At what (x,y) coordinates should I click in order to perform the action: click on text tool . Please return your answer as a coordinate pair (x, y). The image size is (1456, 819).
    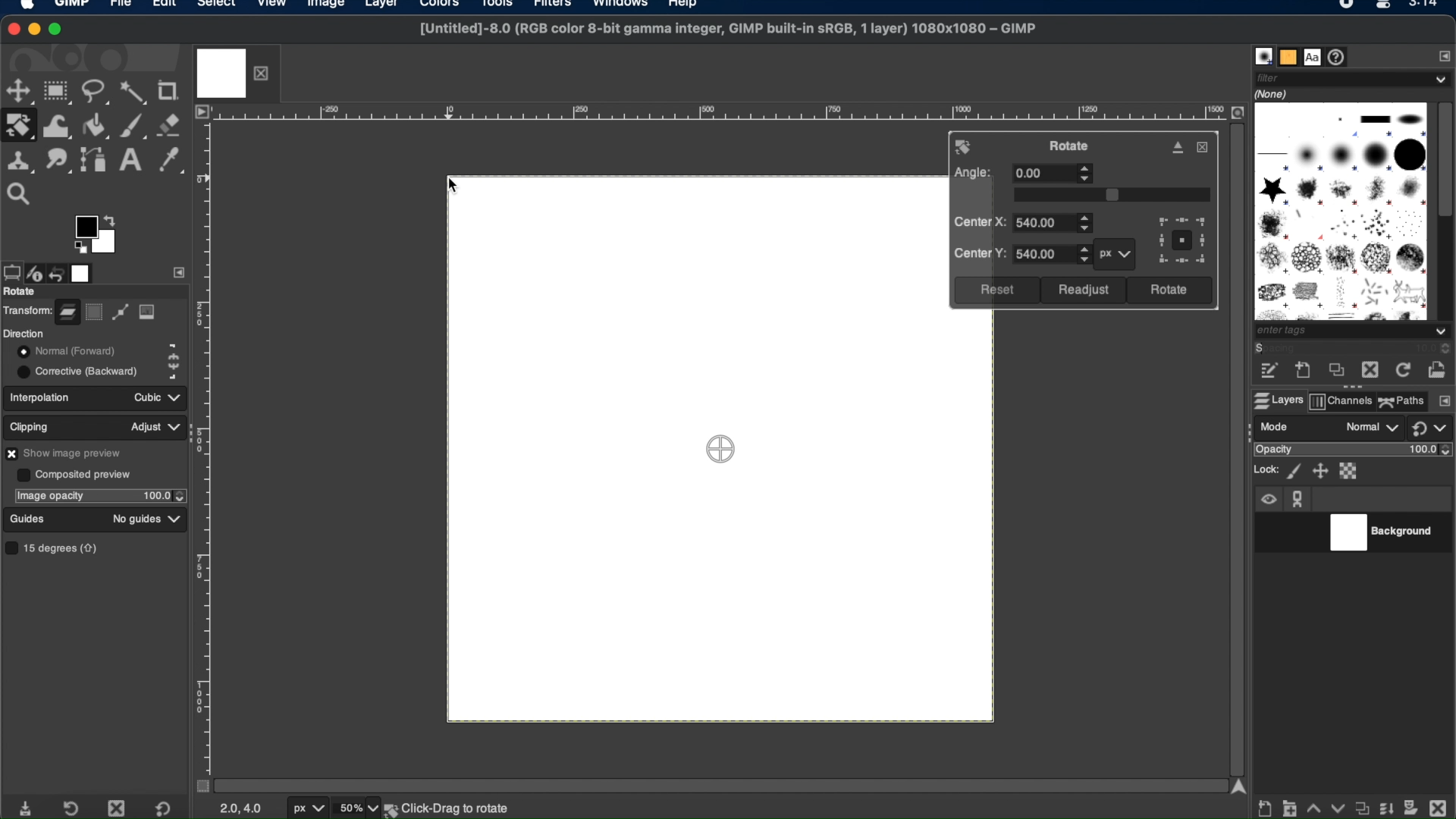
    Looking at the image, I should click on (130, 160).